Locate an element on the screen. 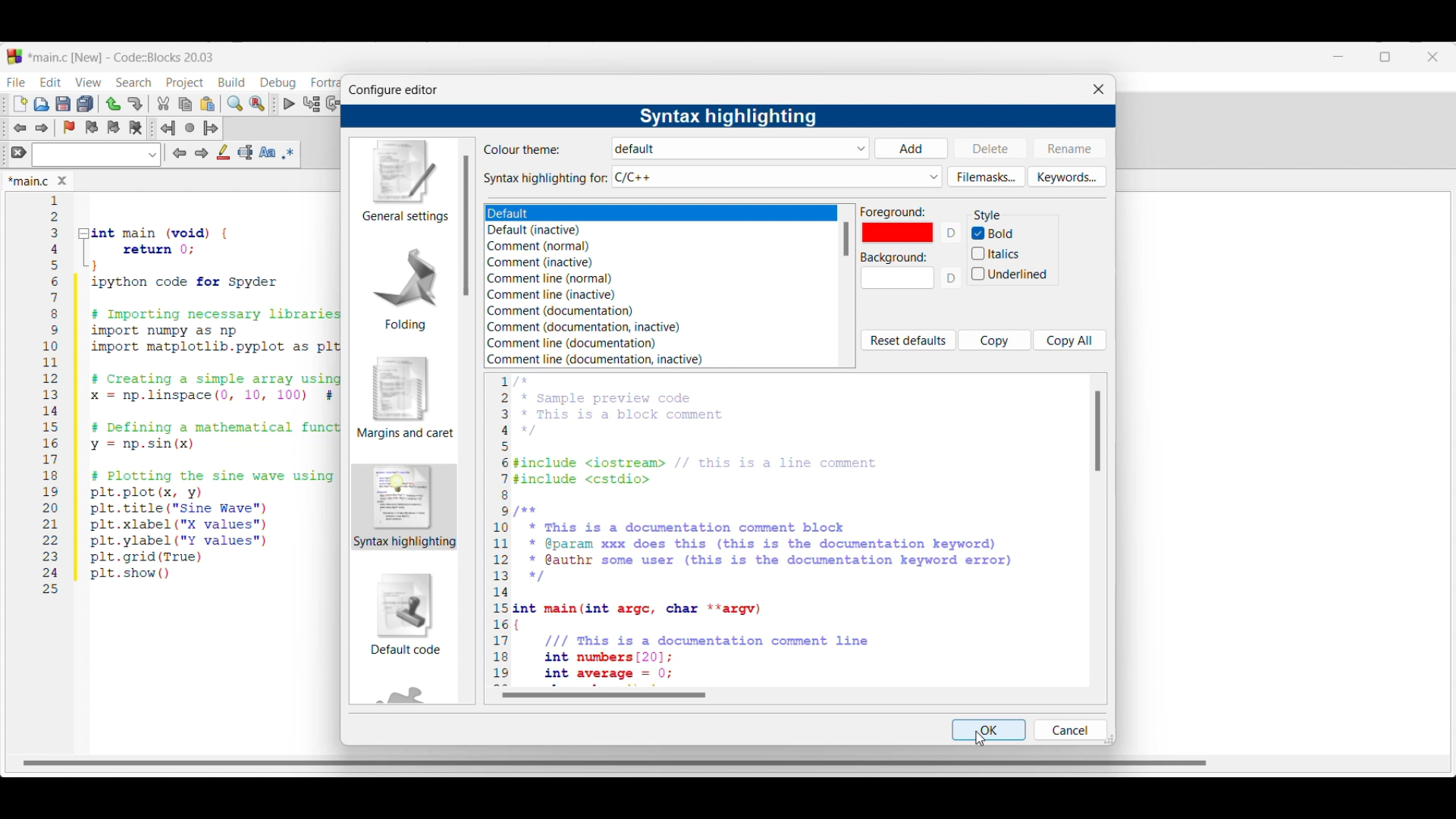  OK highlighted by cursor is located at coordinates (989, 730).